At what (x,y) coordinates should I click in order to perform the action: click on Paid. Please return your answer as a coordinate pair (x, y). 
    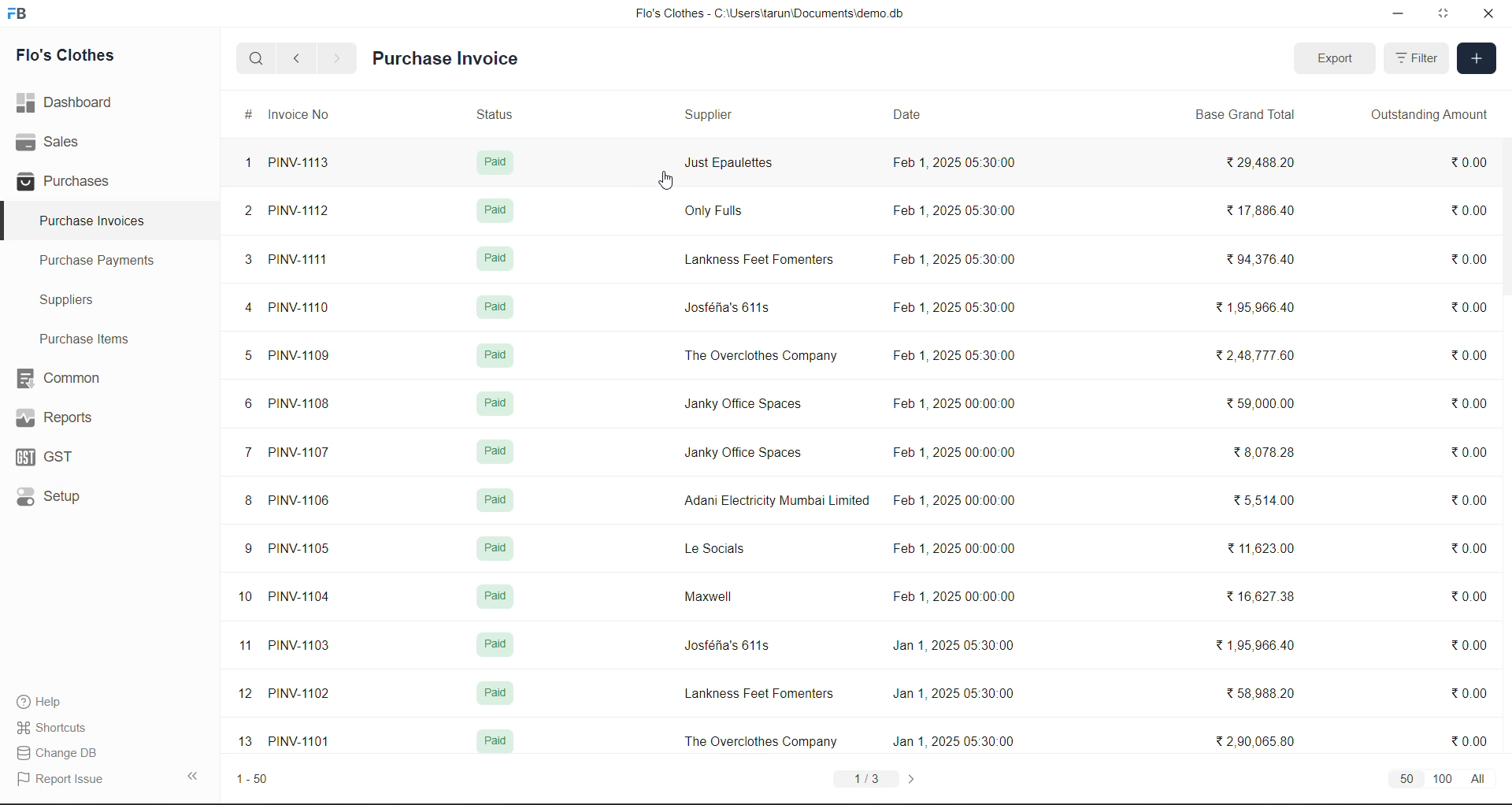
    Looking at the image, I should click on (491, 743).